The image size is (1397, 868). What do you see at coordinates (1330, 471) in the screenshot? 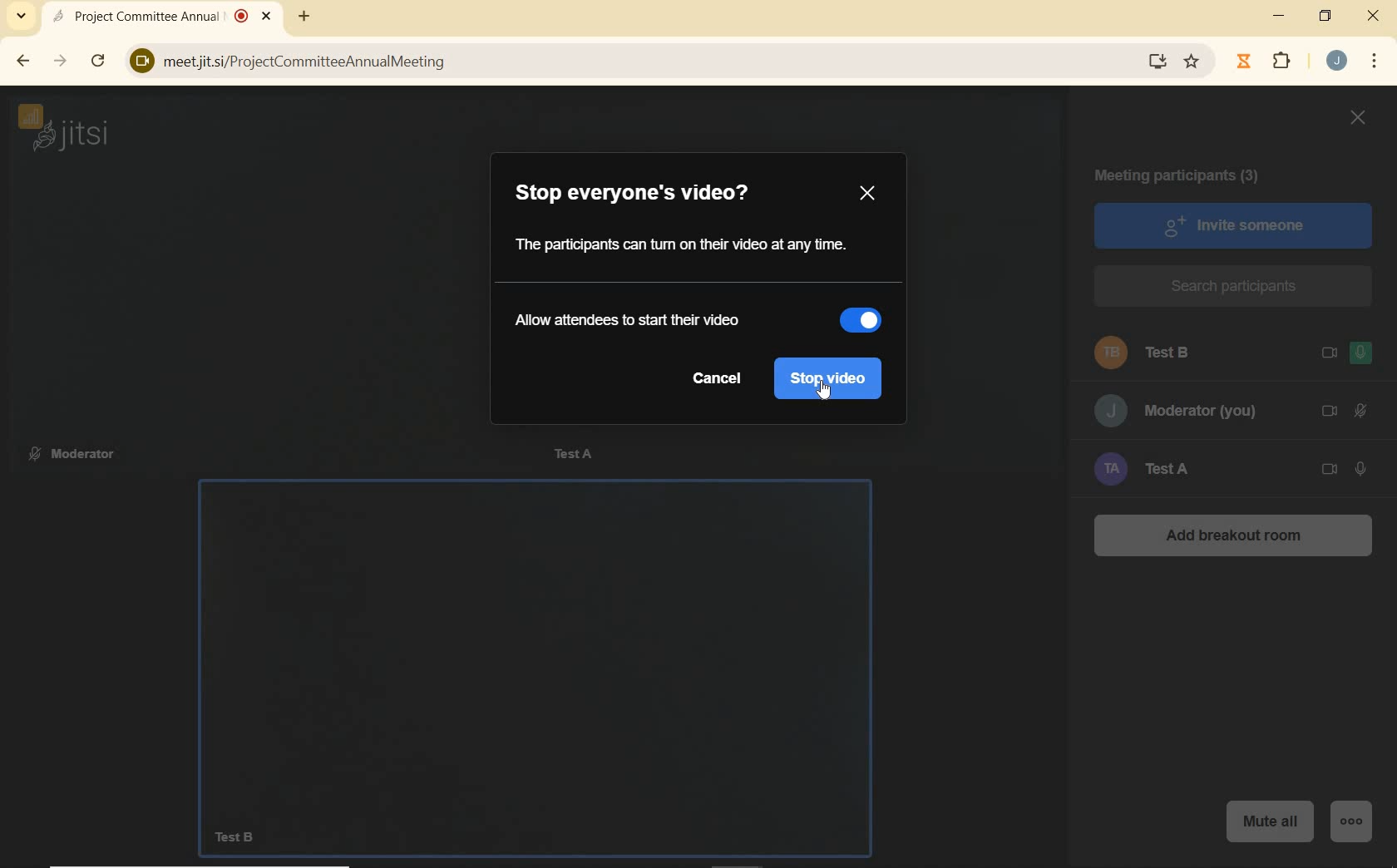
I see `CAMERA` at bounding box center [1330, 471].